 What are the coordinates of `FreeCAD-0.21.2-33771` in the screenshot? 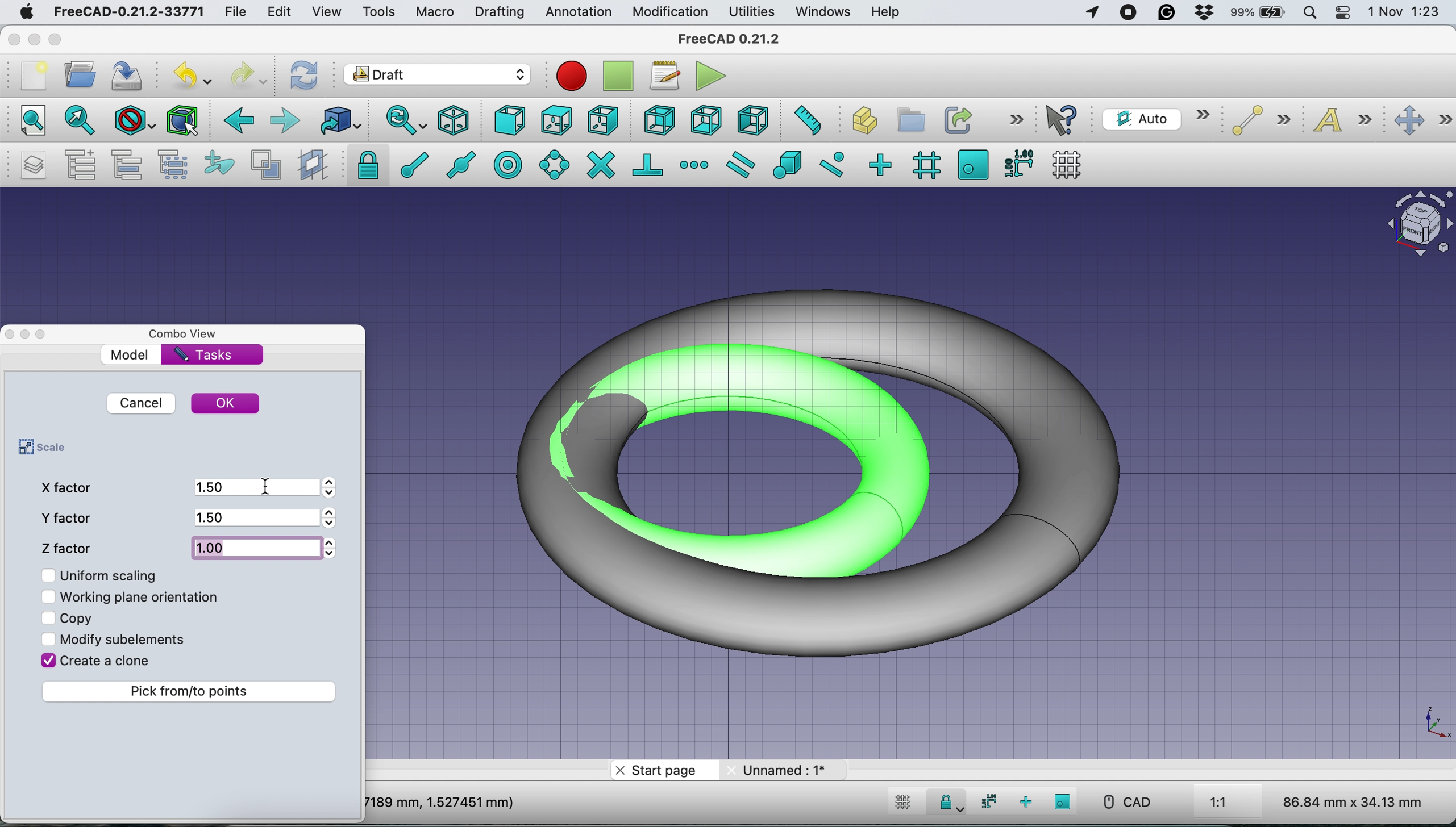 It's located at (130, 11).